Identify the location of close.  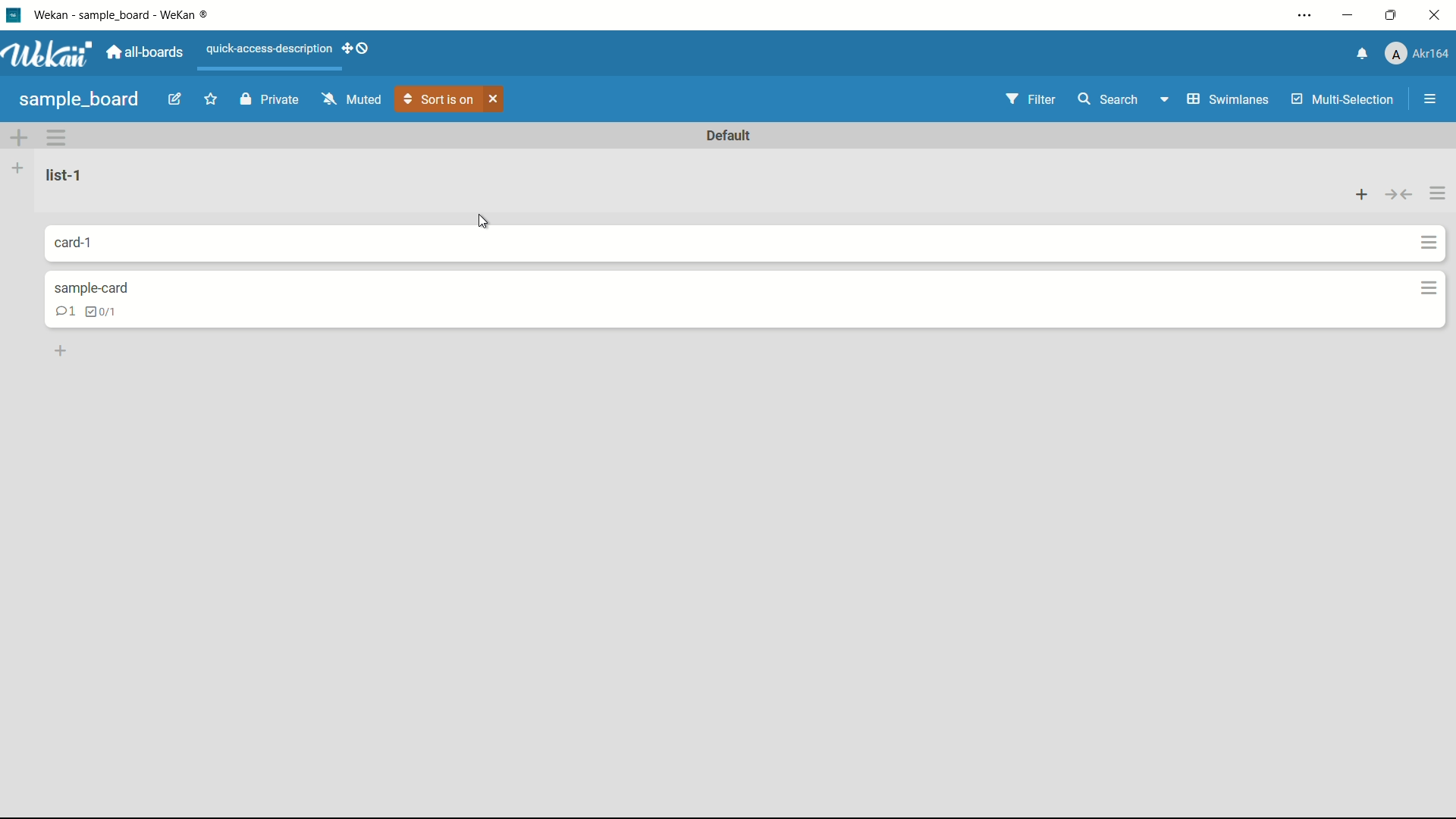
(495, 99).